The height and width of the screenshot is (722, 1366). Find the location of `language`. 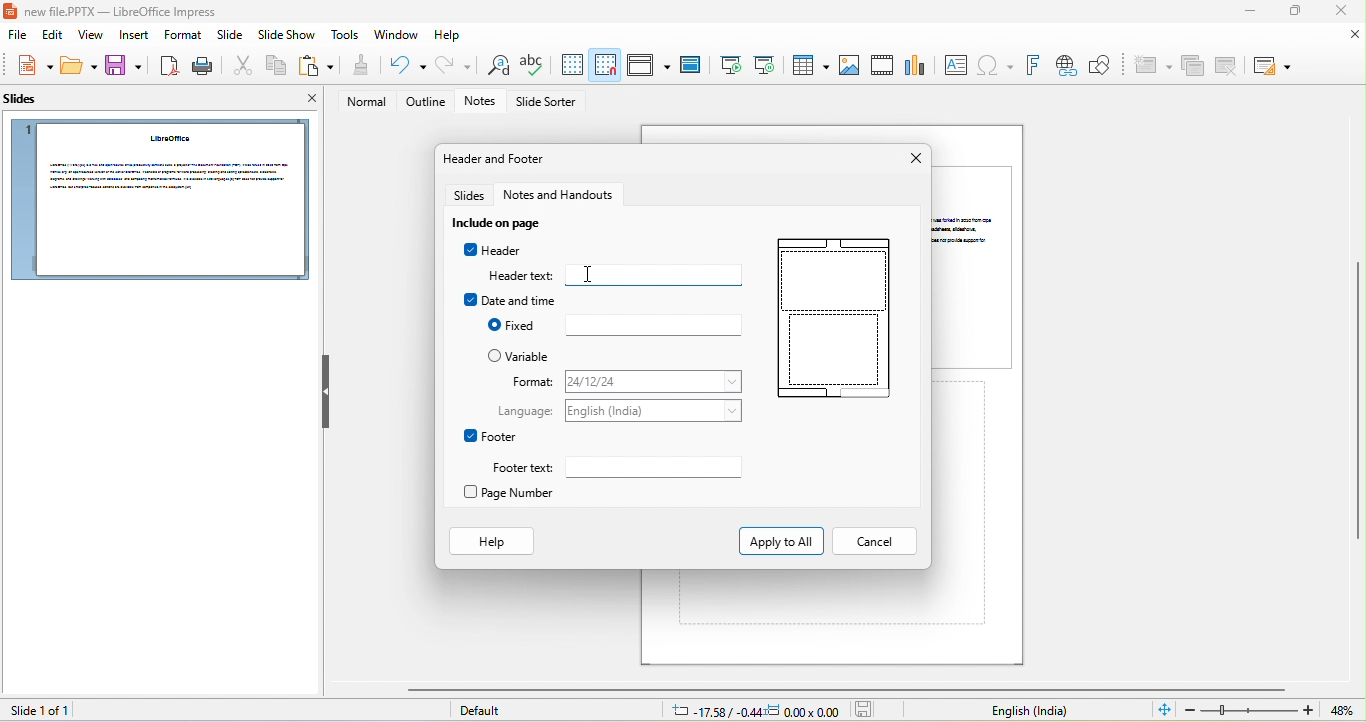

language is located at coordinates (656, 411).